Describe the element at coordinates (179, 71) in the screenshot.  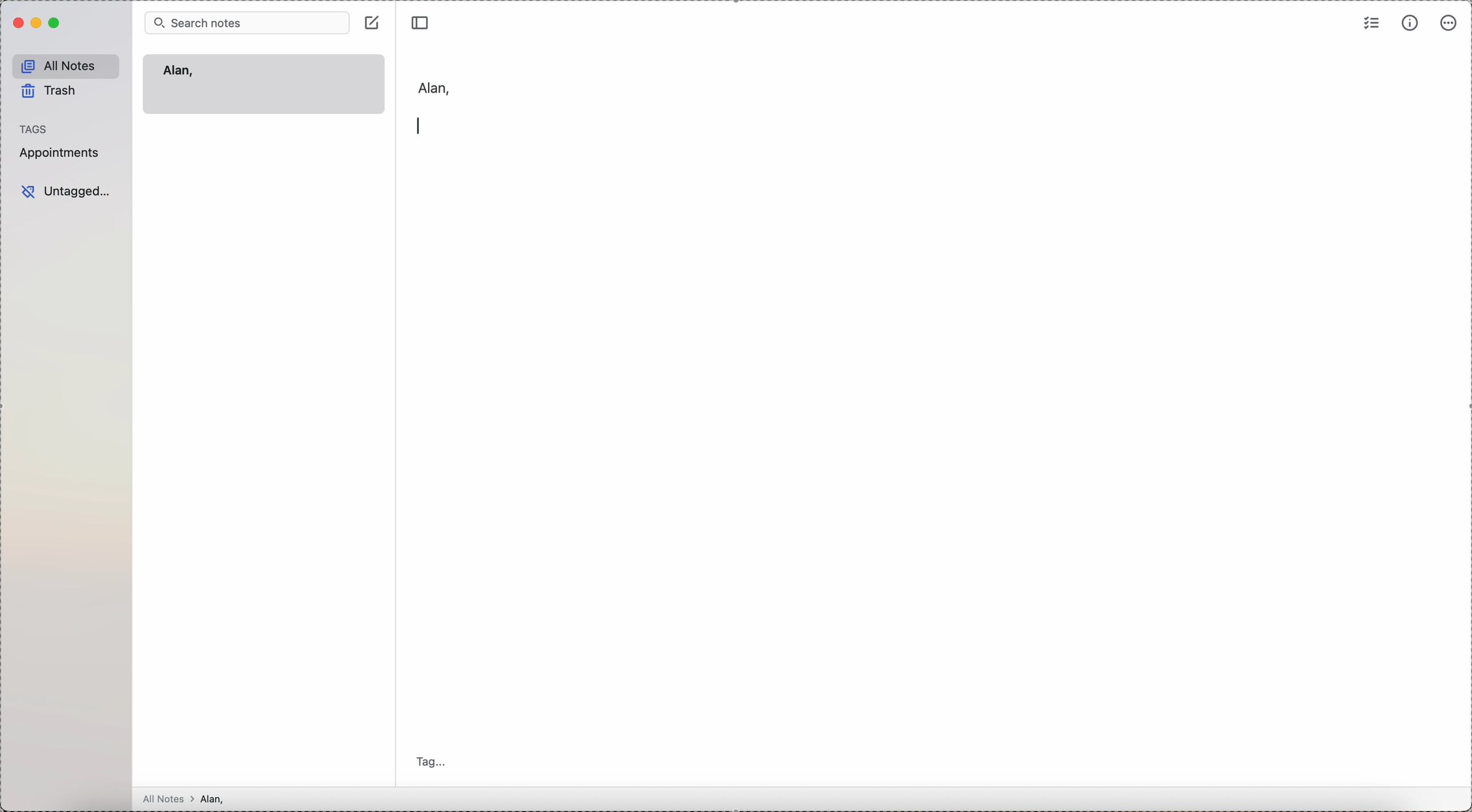
I see `Alan,` at that location.